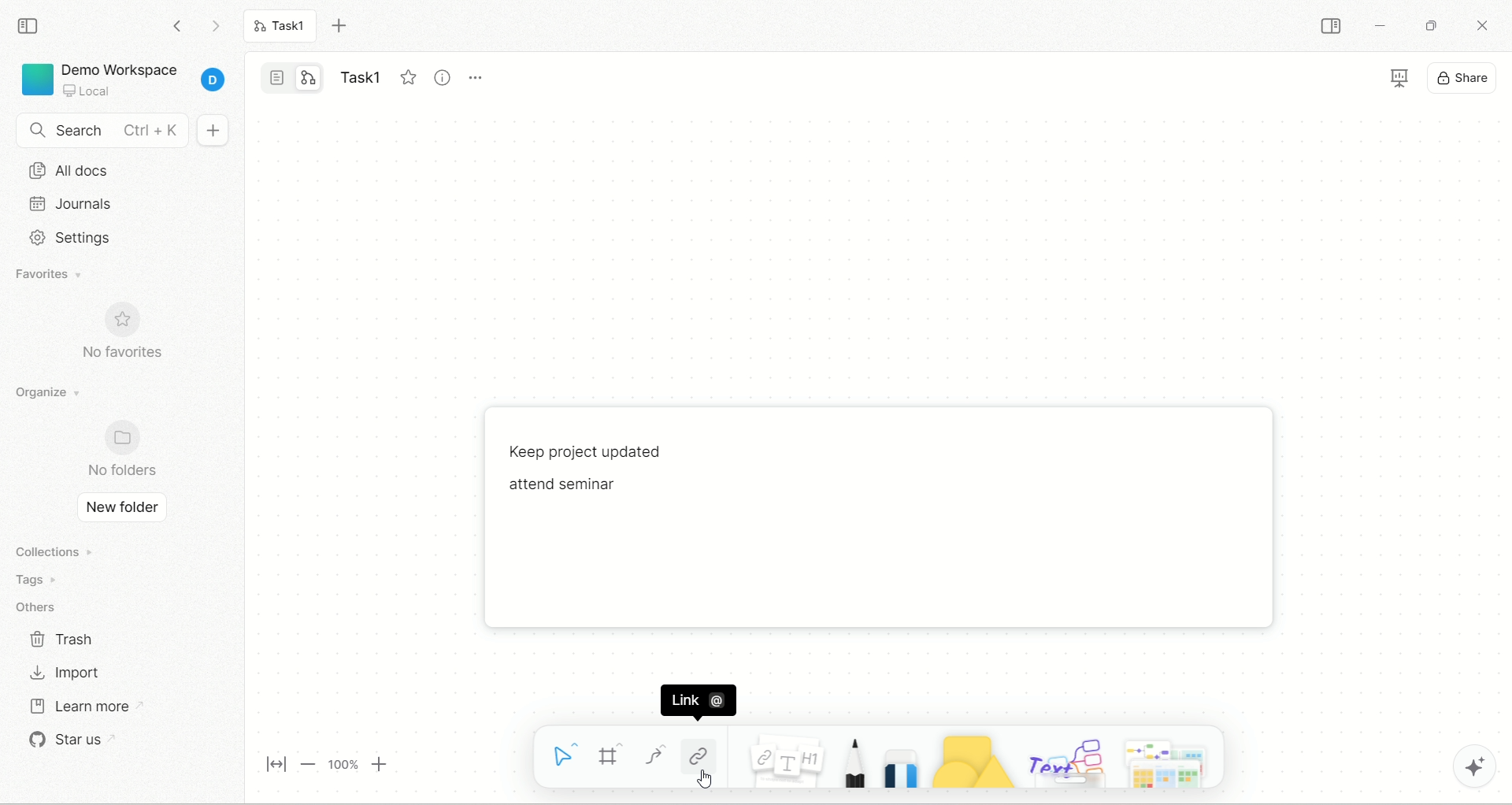  What do you see at coordinates (480, 81) in the screenshot?
I see `more options` at bounding box center [480, 81].